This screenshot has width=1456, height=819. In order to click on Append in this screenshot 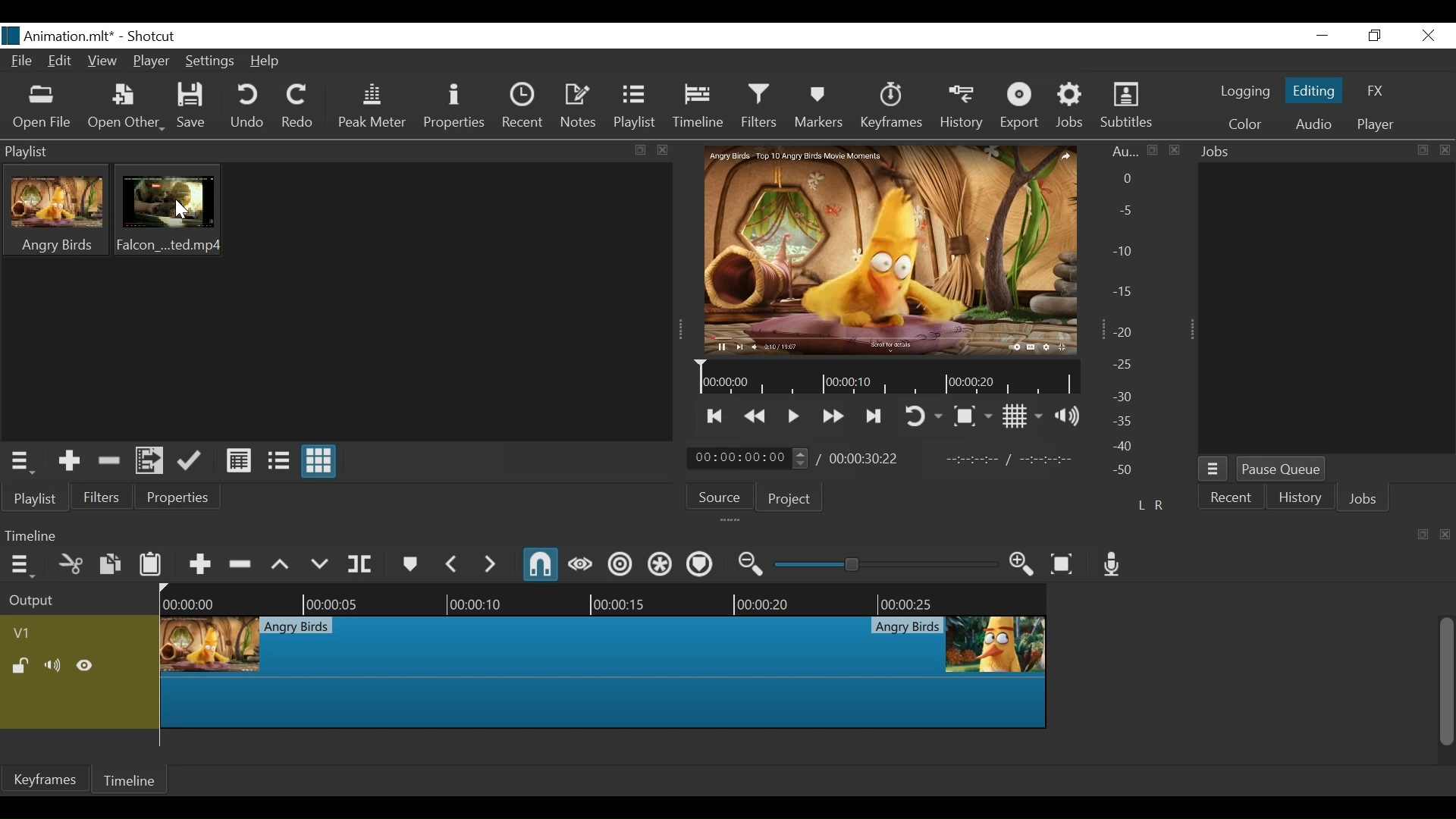, I will do `click(199, 562)`.